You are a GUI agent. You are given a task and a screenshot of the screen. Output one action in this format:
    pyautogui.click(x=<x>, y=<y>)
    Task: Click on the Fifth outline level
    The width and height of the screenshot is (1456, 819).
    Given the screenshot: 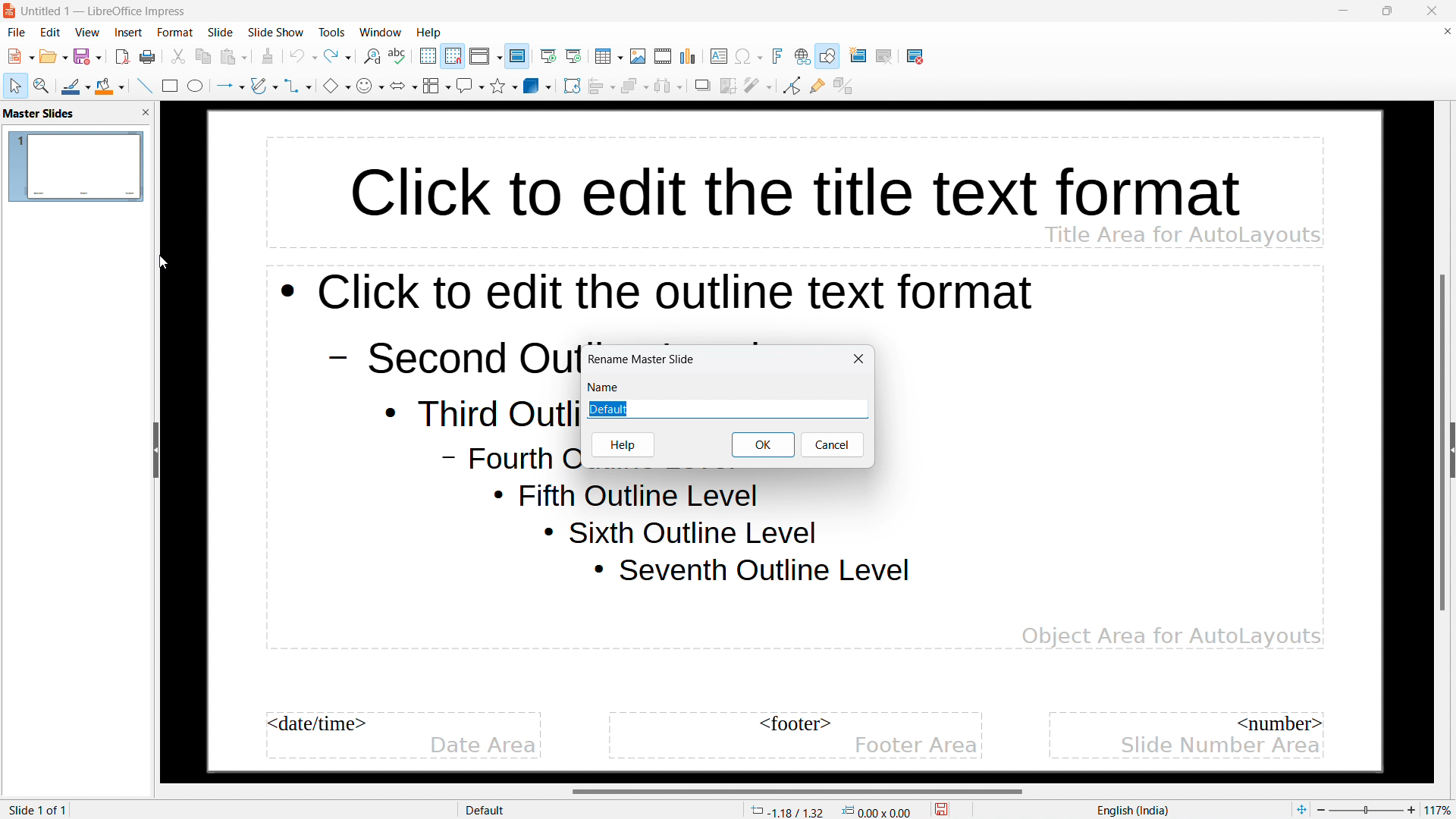 What is the action you would take?
    pyautogui.click(x=631, y=496)
    